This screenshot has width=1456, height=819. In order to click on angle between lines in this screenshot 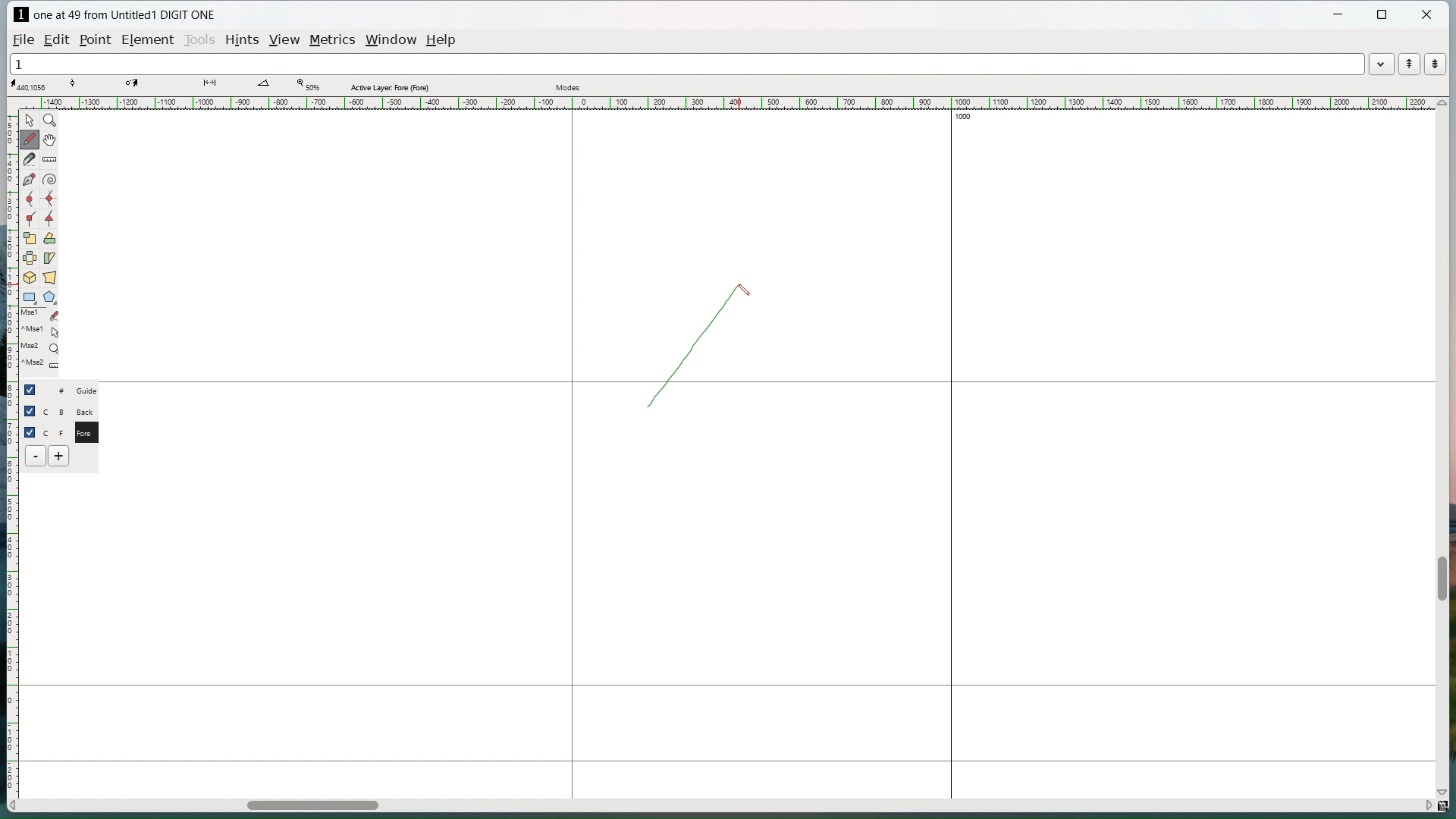, I will do `click(264, 83)`.